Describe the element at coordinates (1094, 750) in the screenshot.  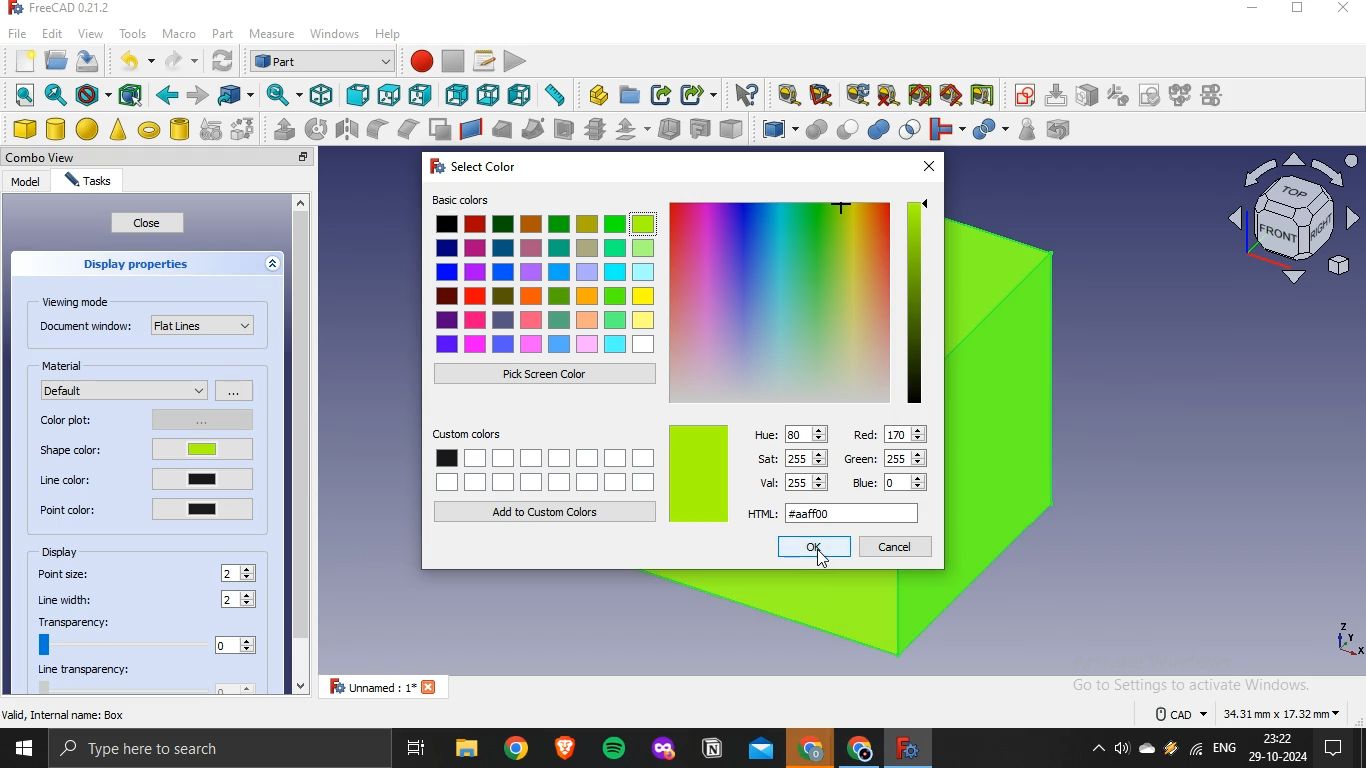
I see `show hidden icons` at that location.